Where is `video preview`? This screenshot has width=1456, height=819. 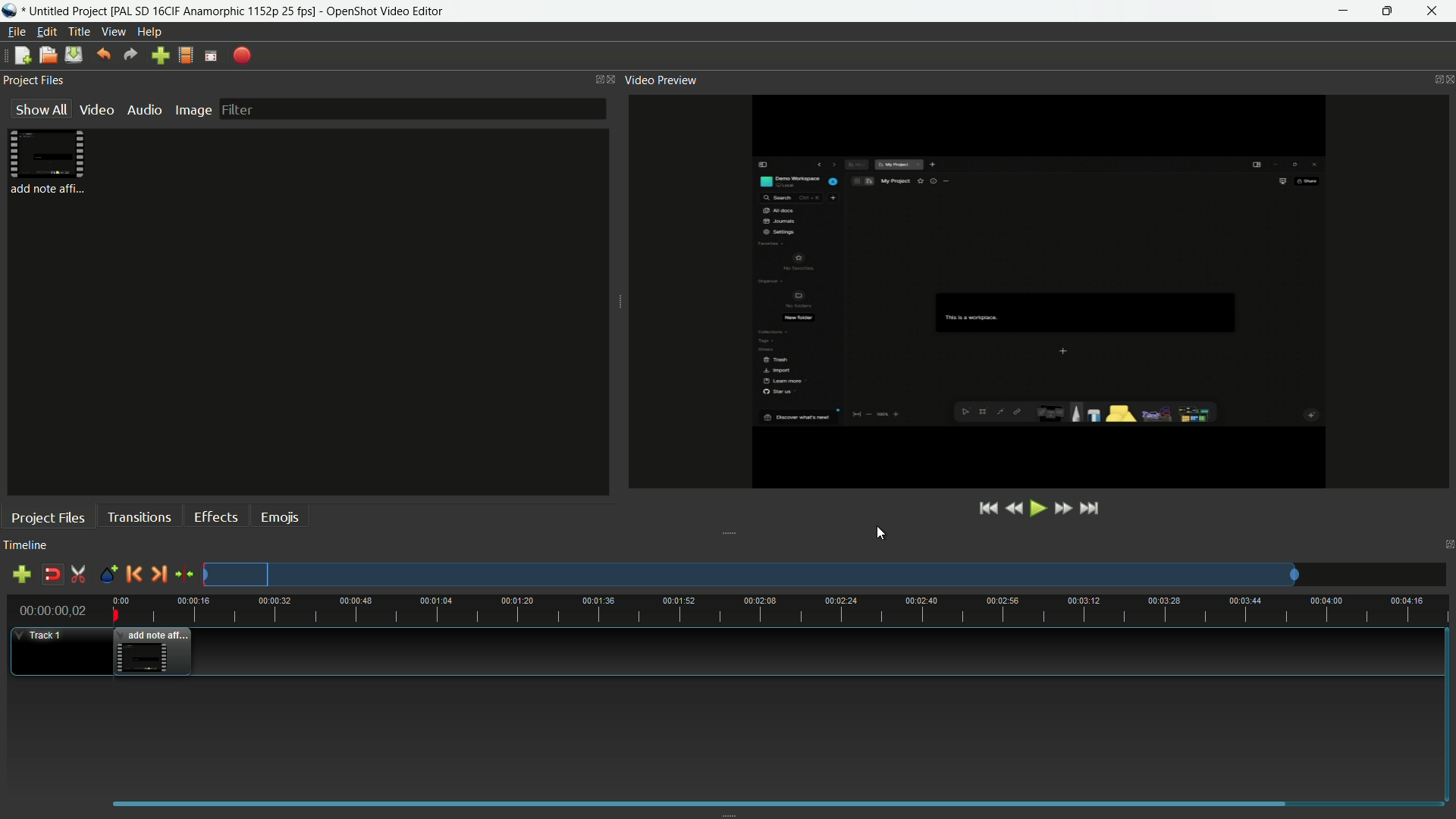
video preview is located at coordinates (1032, 293).